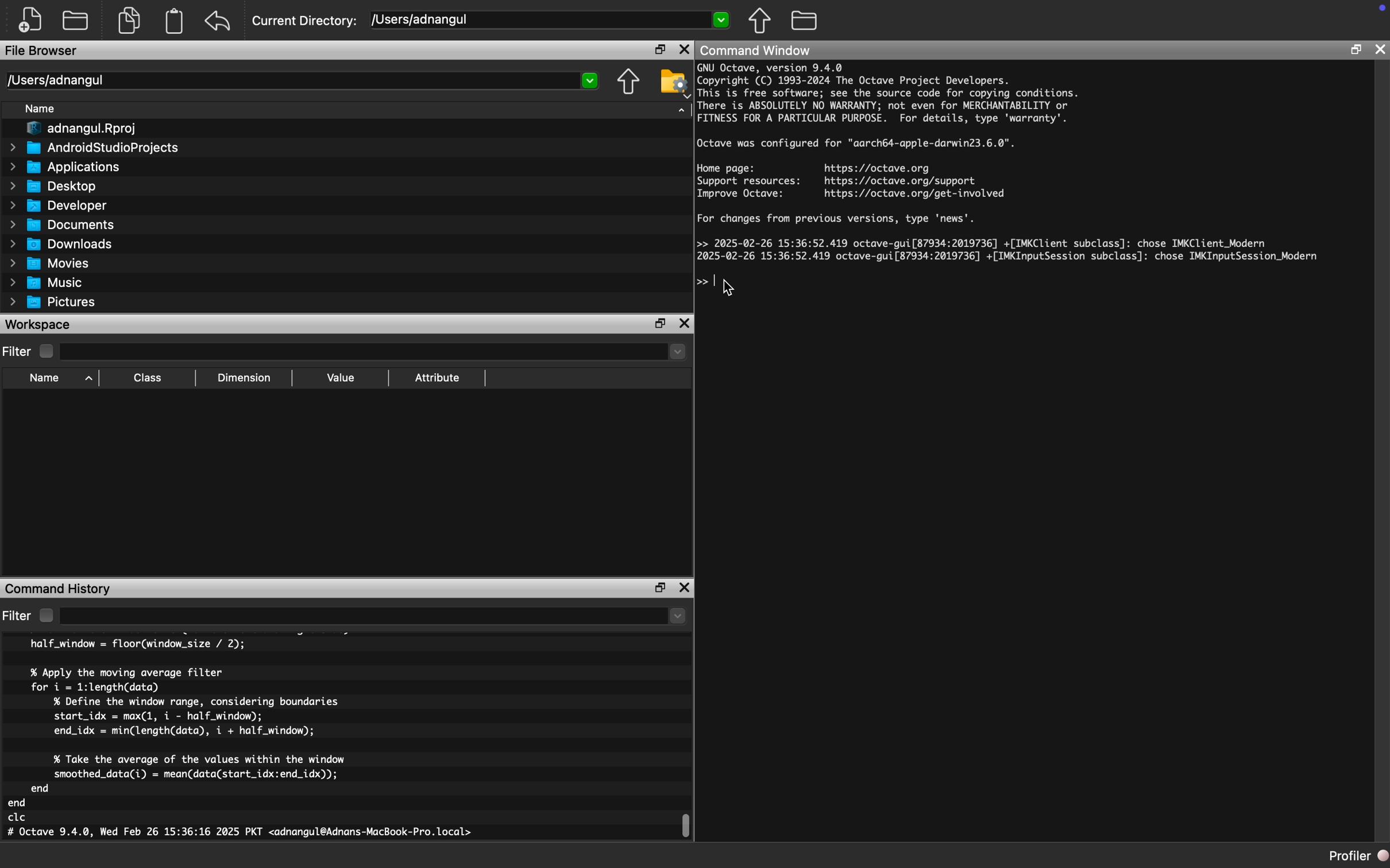 The width and height of the screenshot is (1390, 868). What do you see at coordinates (221, 21) in the screenshot?
I see `Redo` at bounding box center [221, 21].